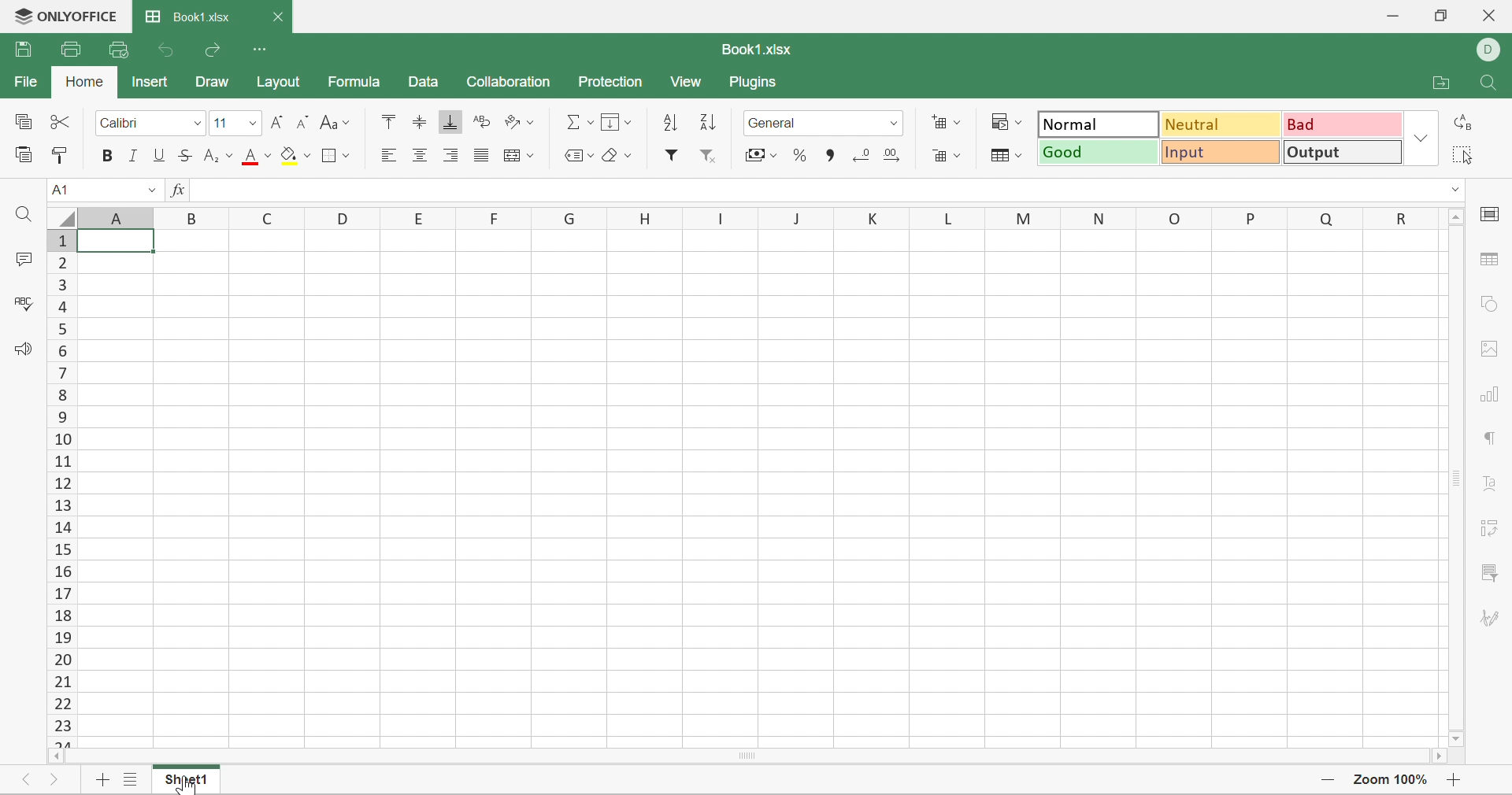 This screenshot has height=795, width=1512. What do you see at coordinates (1458, 154) in the screenshot?
I see `Select all` at bounding box center [1458, 154].